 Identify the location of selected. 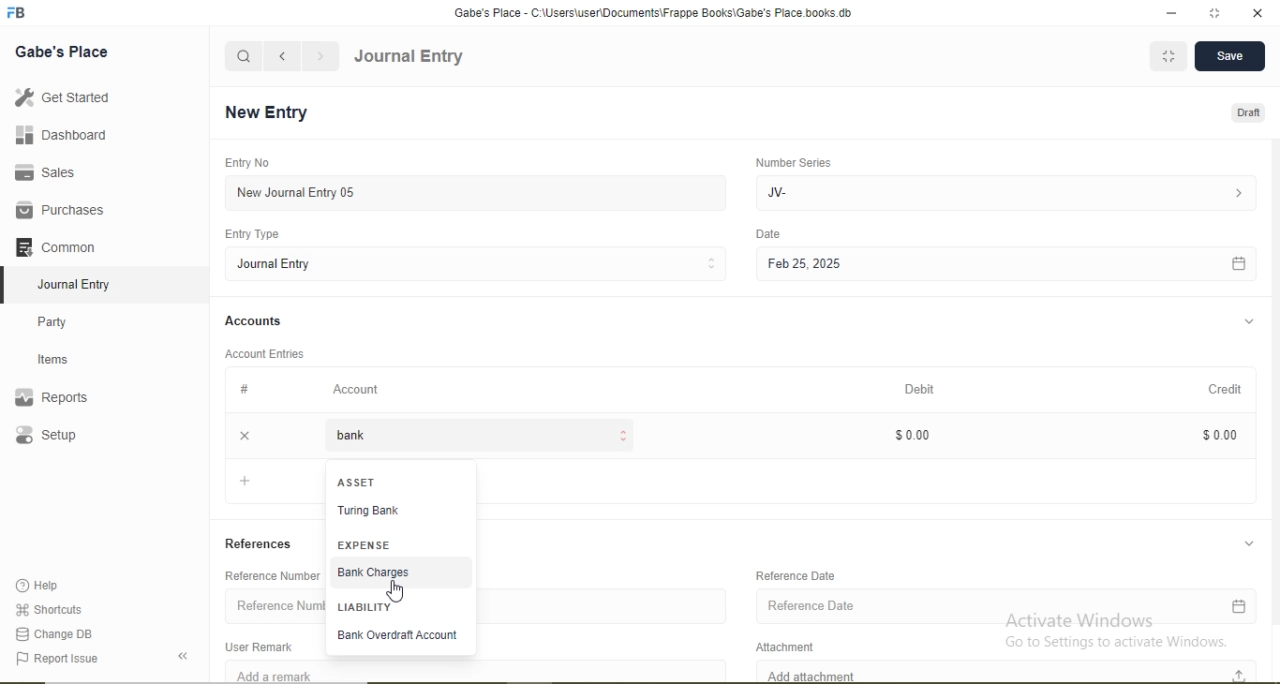
(8, 284).